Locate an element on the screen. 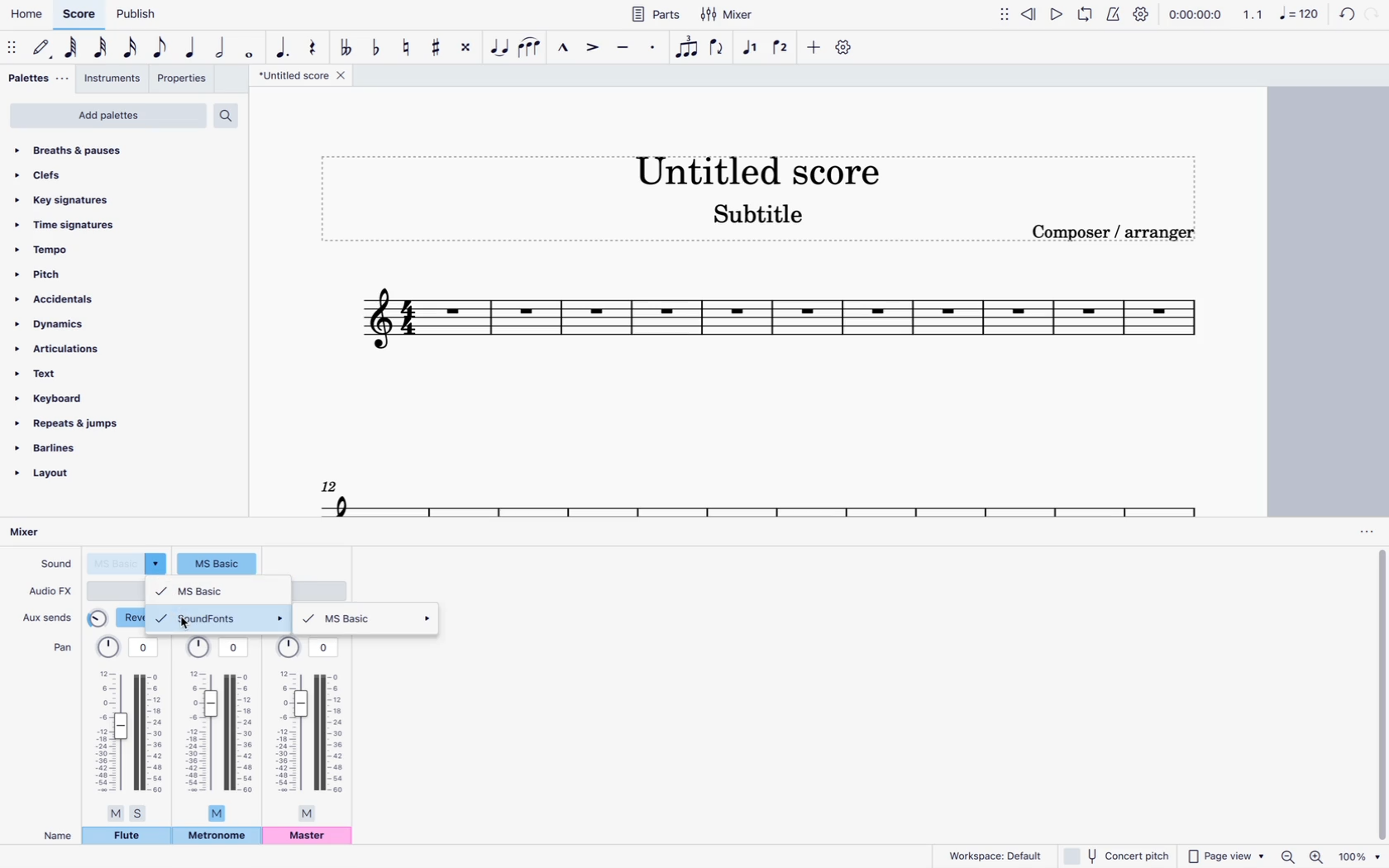  properties is located at coordinates (184, 80).